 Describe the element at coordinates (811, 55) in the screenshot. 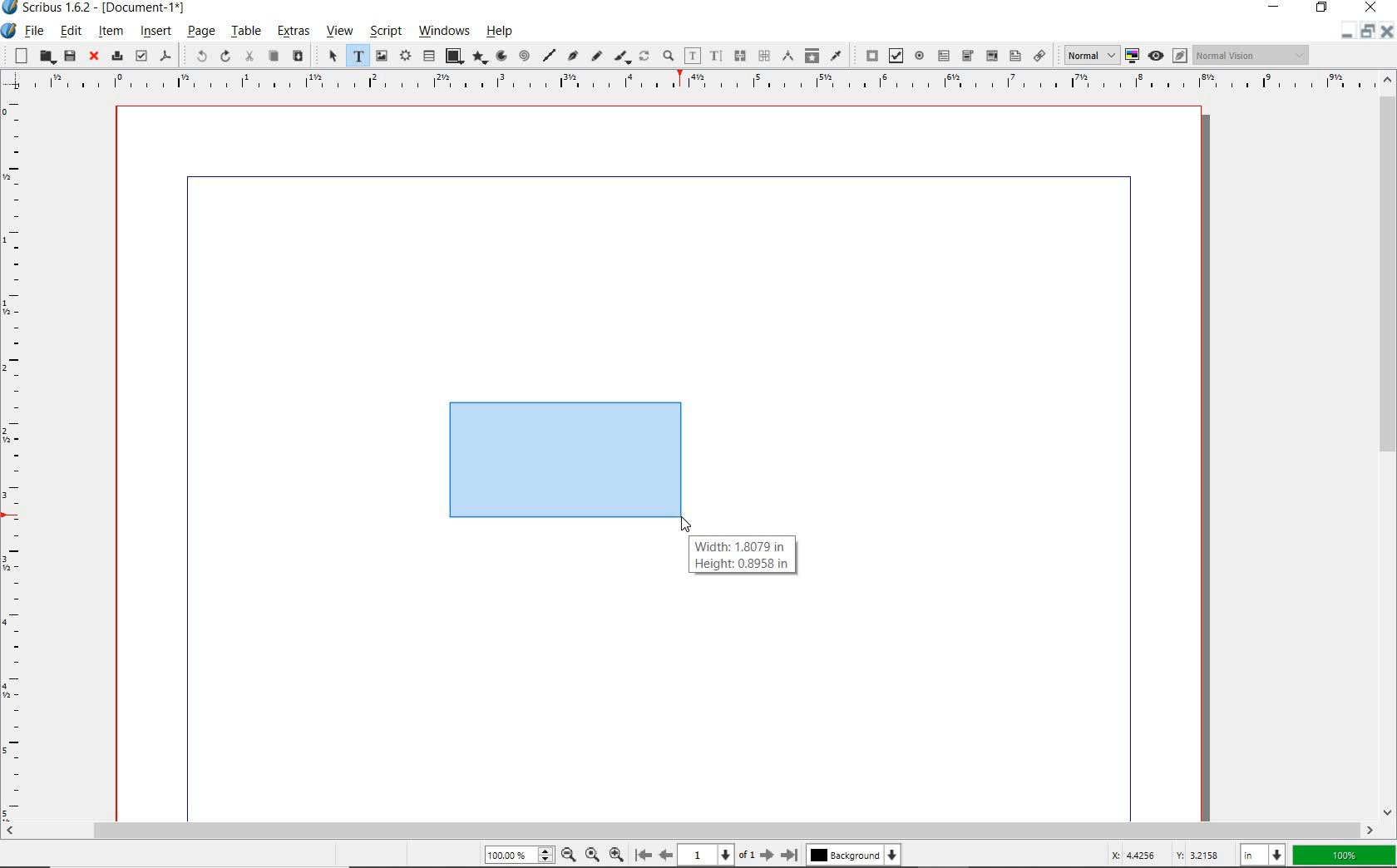

I see `copy item properties` at that location.